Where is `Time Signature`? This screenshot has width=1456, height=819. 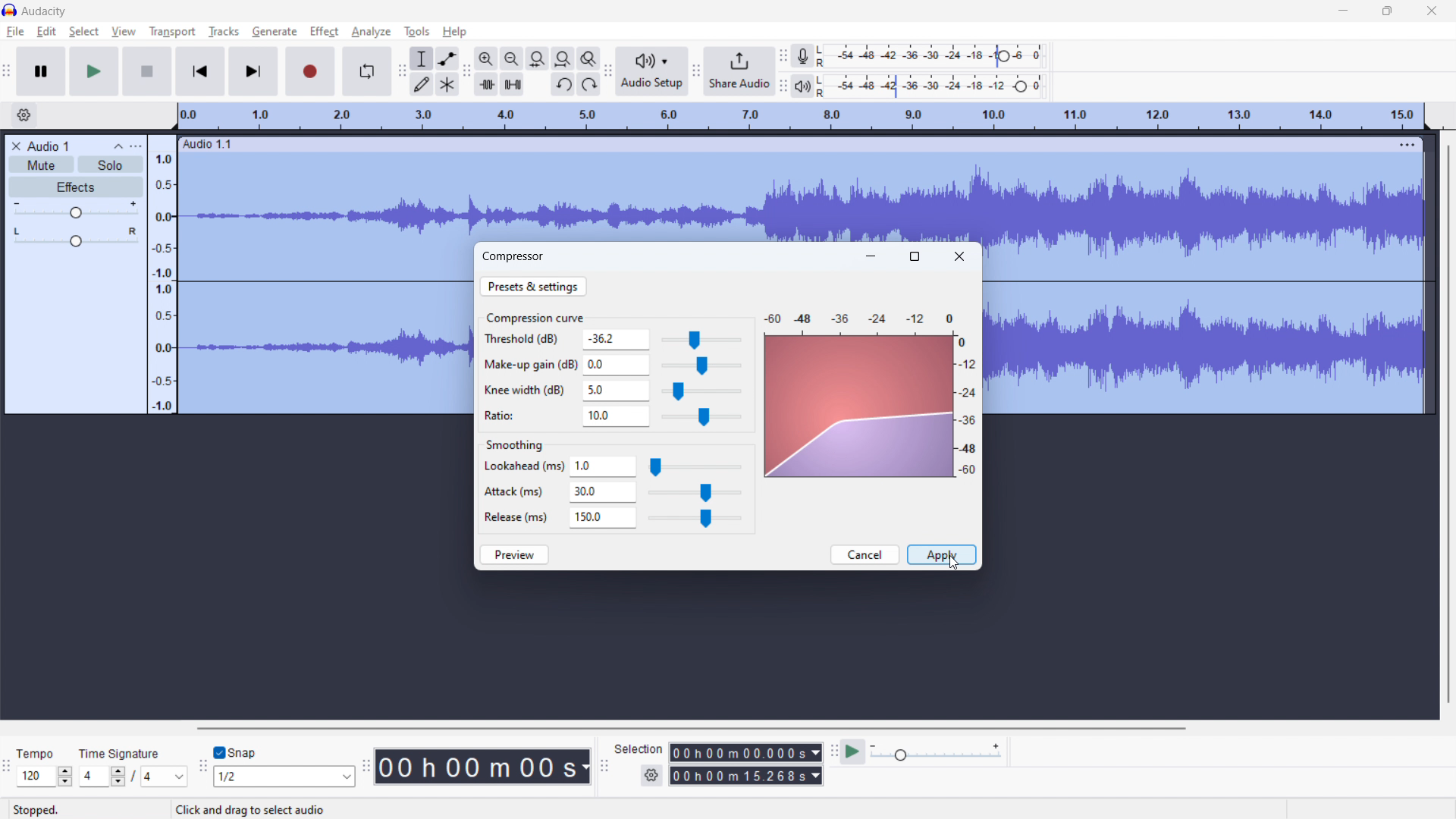
Time Signature is located at coordinates (121, 750).